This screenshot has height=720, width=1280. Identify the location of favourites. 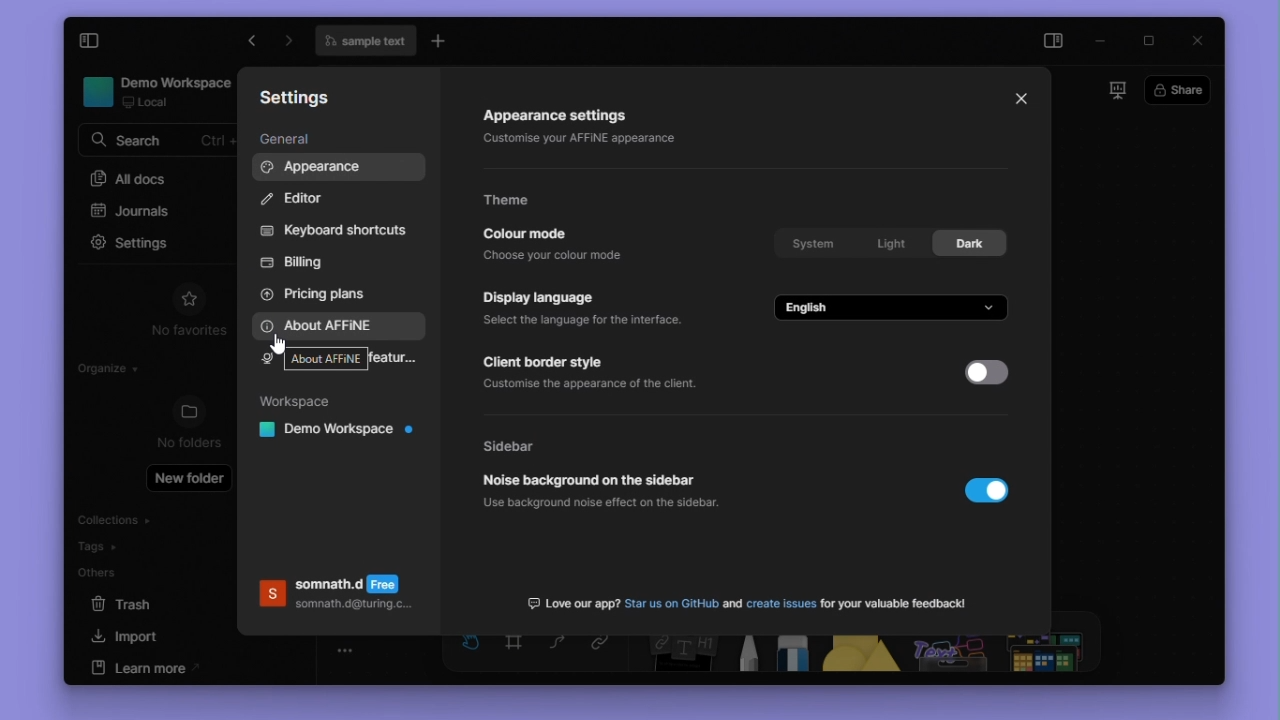
(188, 296).